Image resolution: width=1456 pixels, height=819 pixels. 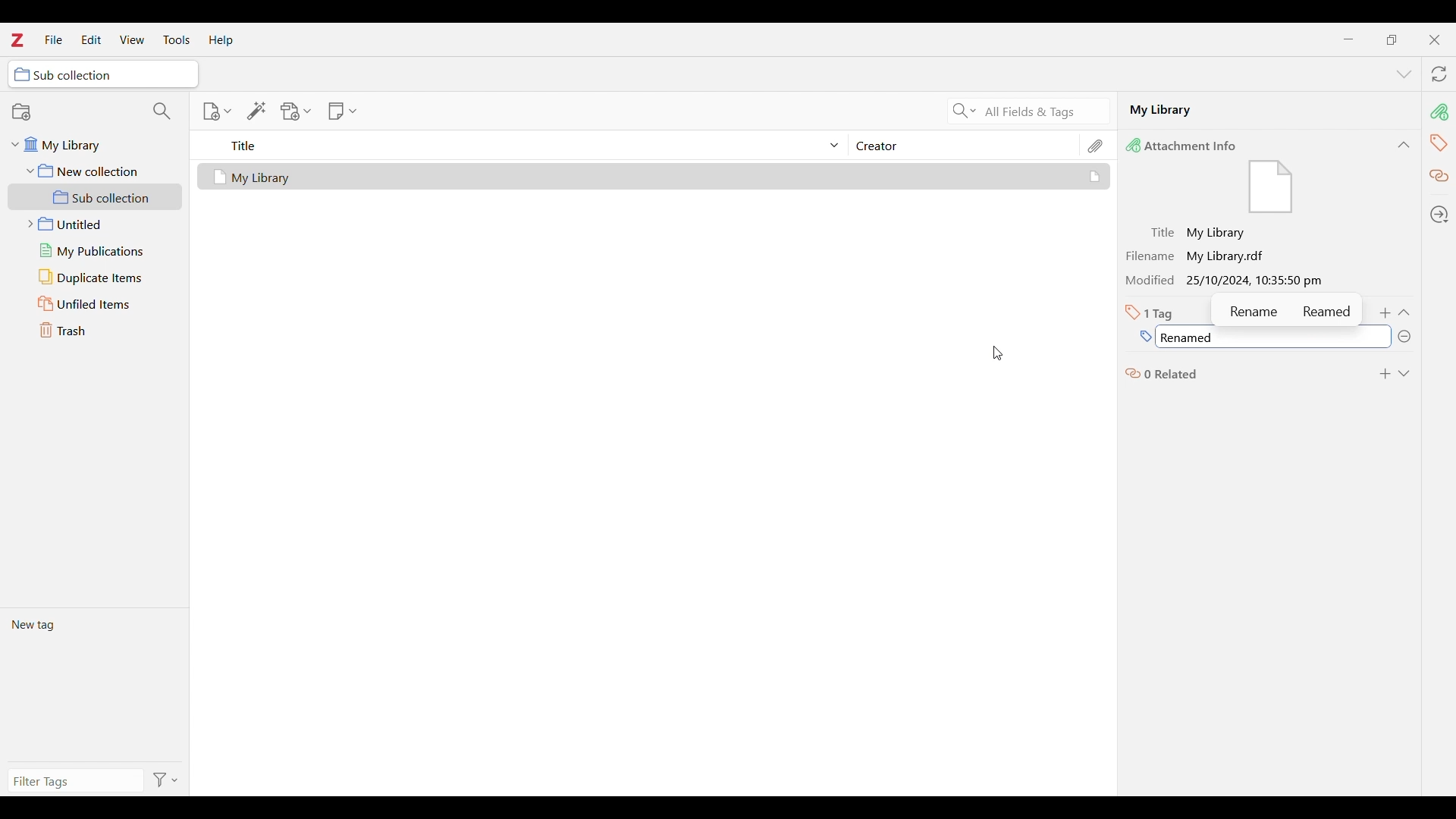 What do you see at coordinates (221, 40) in the screenshot?
I see `Help menu` at bounding box center [221, 40].